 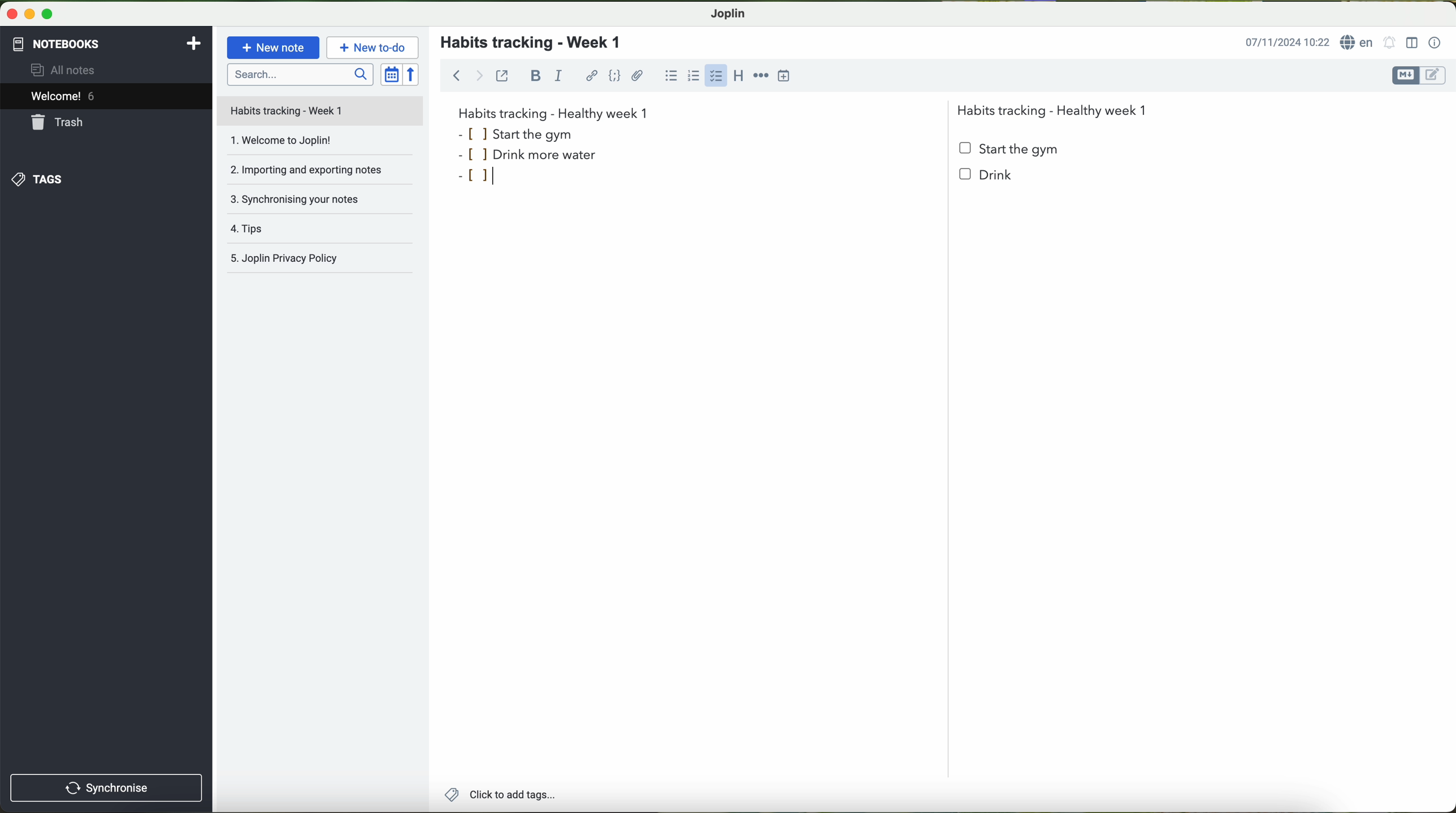 I want to click on synchronnise button, so click(x=105, y=789).